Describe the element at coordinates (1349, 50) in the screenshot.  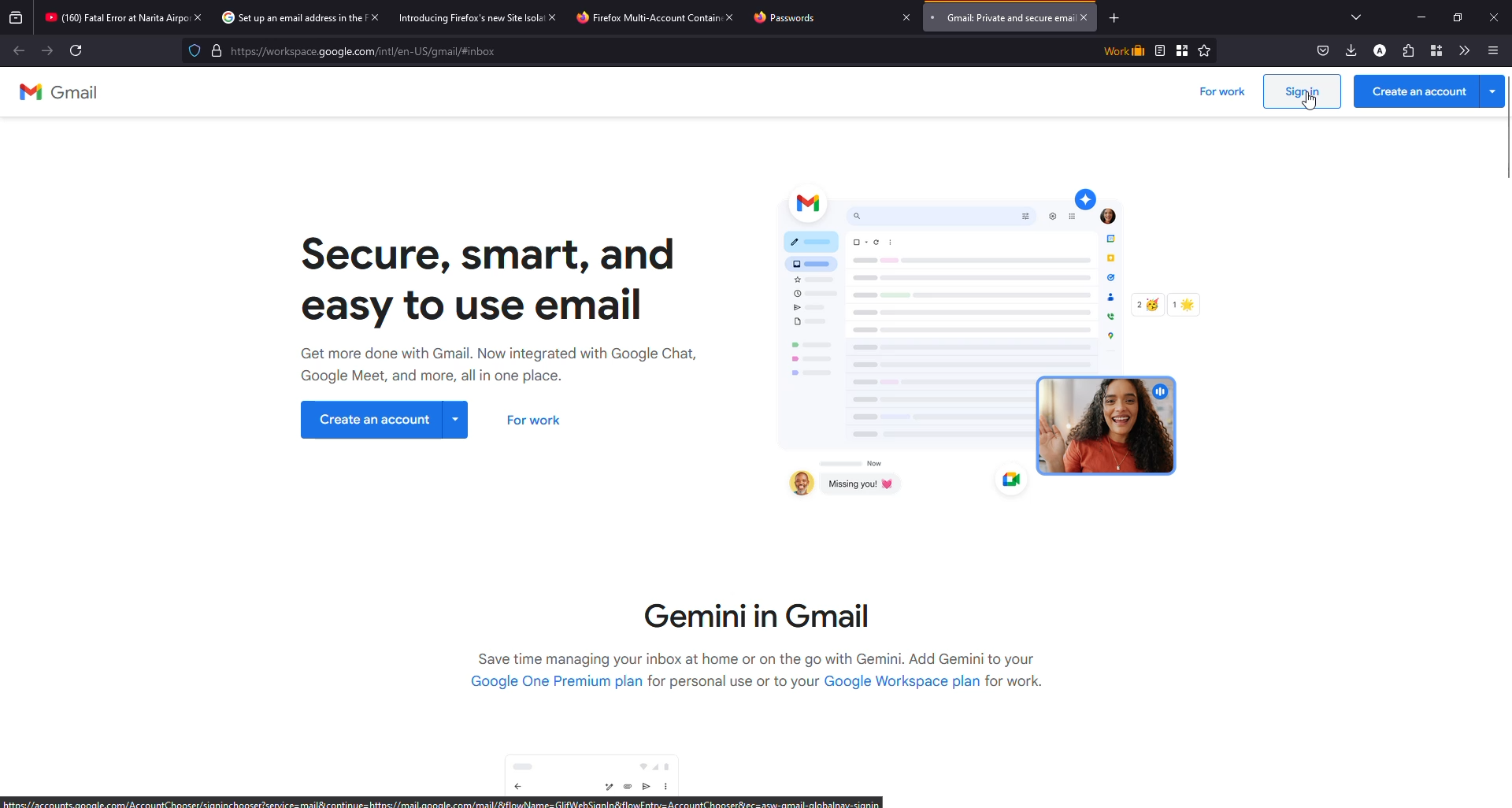
I see `downloads` at that location.